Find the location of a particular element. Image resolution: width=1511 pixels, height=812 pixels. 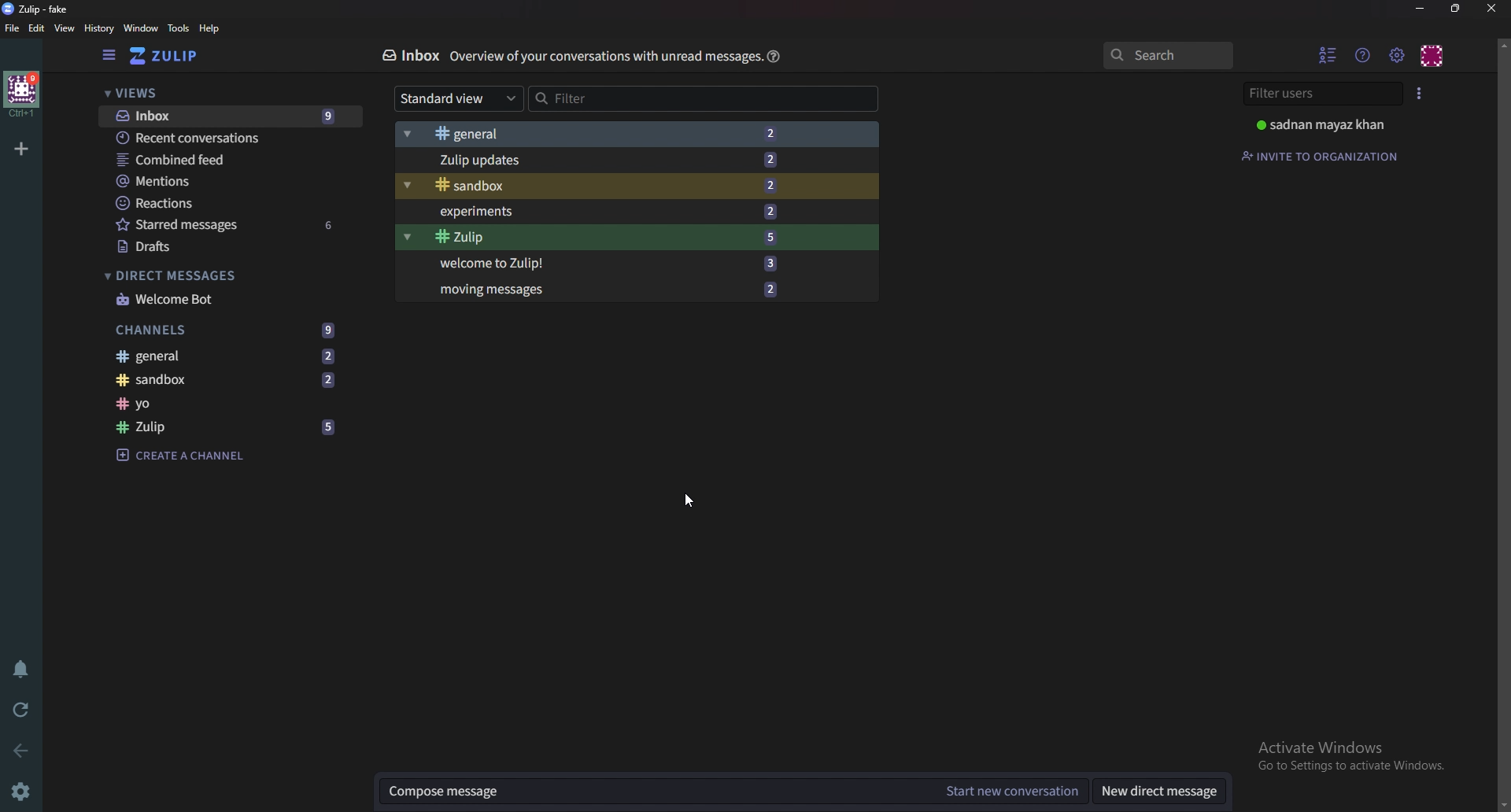

Enable do not disturb is located at coordinates (24, 669).